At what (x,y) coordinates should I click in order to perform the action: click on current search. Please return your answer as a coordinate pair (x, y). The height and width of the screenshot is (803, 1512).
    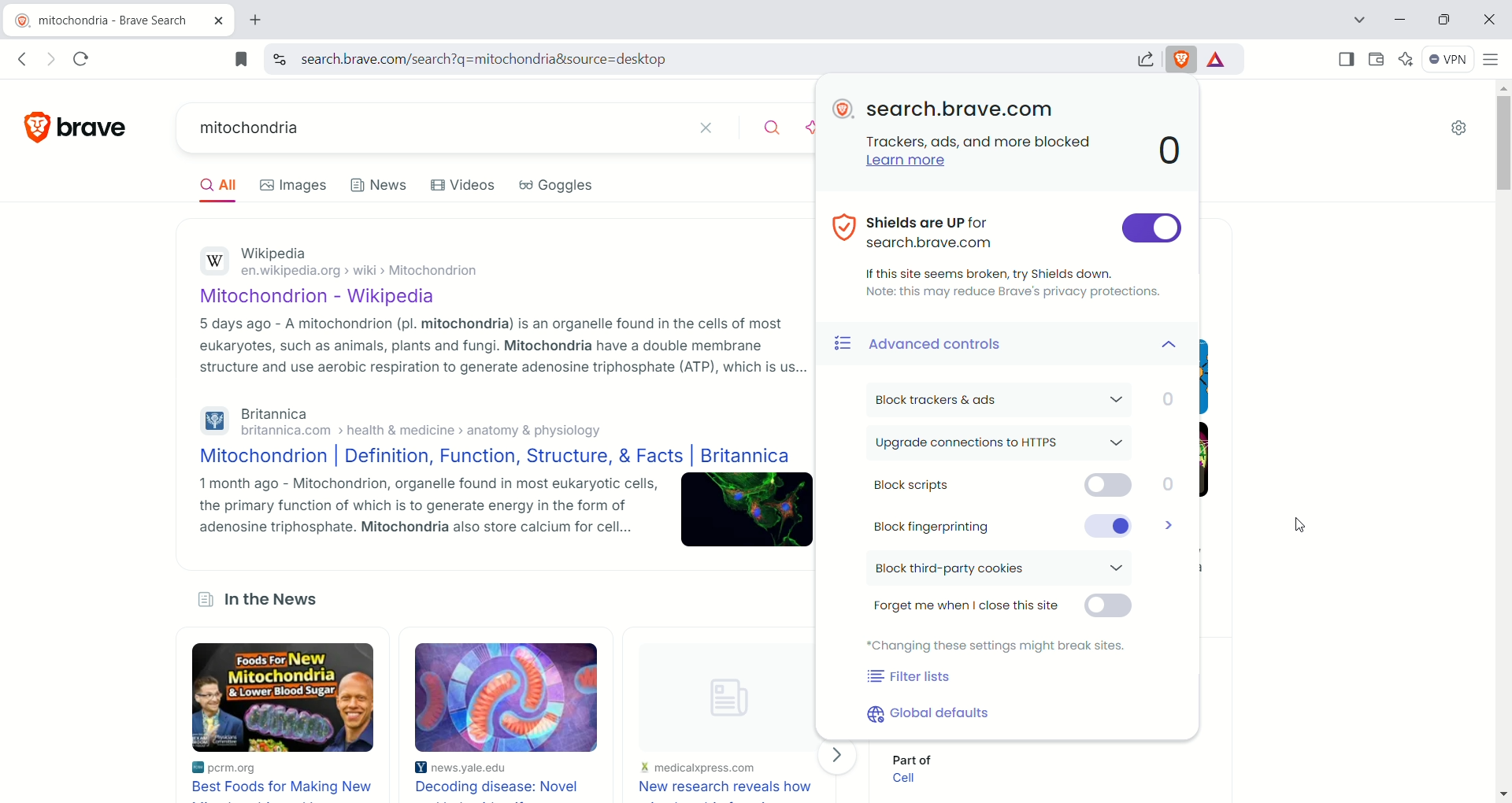
    Looking at the image, I should click on (431, 128).